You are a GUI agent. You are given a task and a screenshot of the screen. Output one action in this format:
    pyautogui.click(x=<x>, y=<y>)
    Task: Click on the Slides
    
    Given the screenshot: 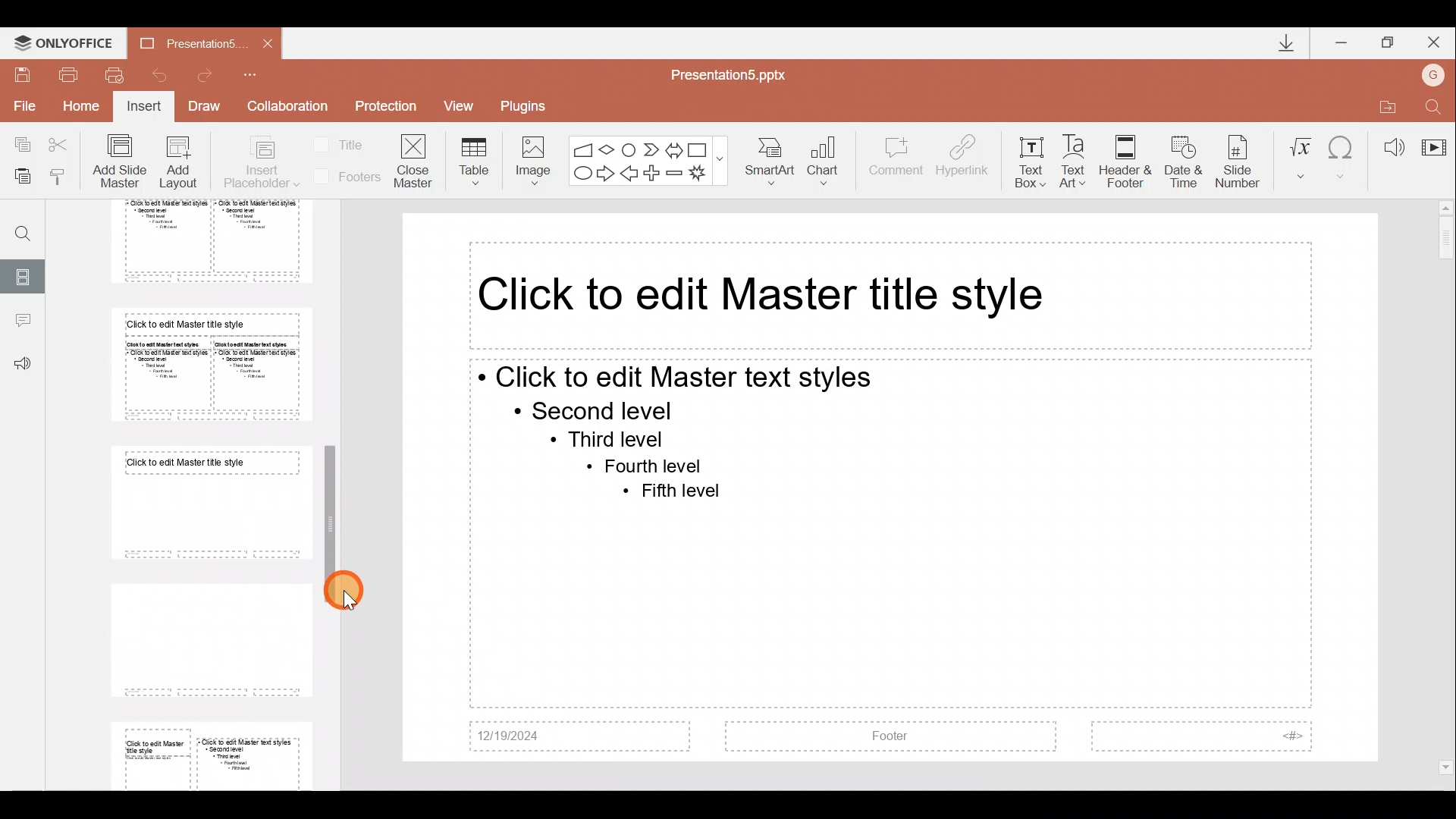 What is the action you would take?
    pyautogui.click(x=24, y=275)
    